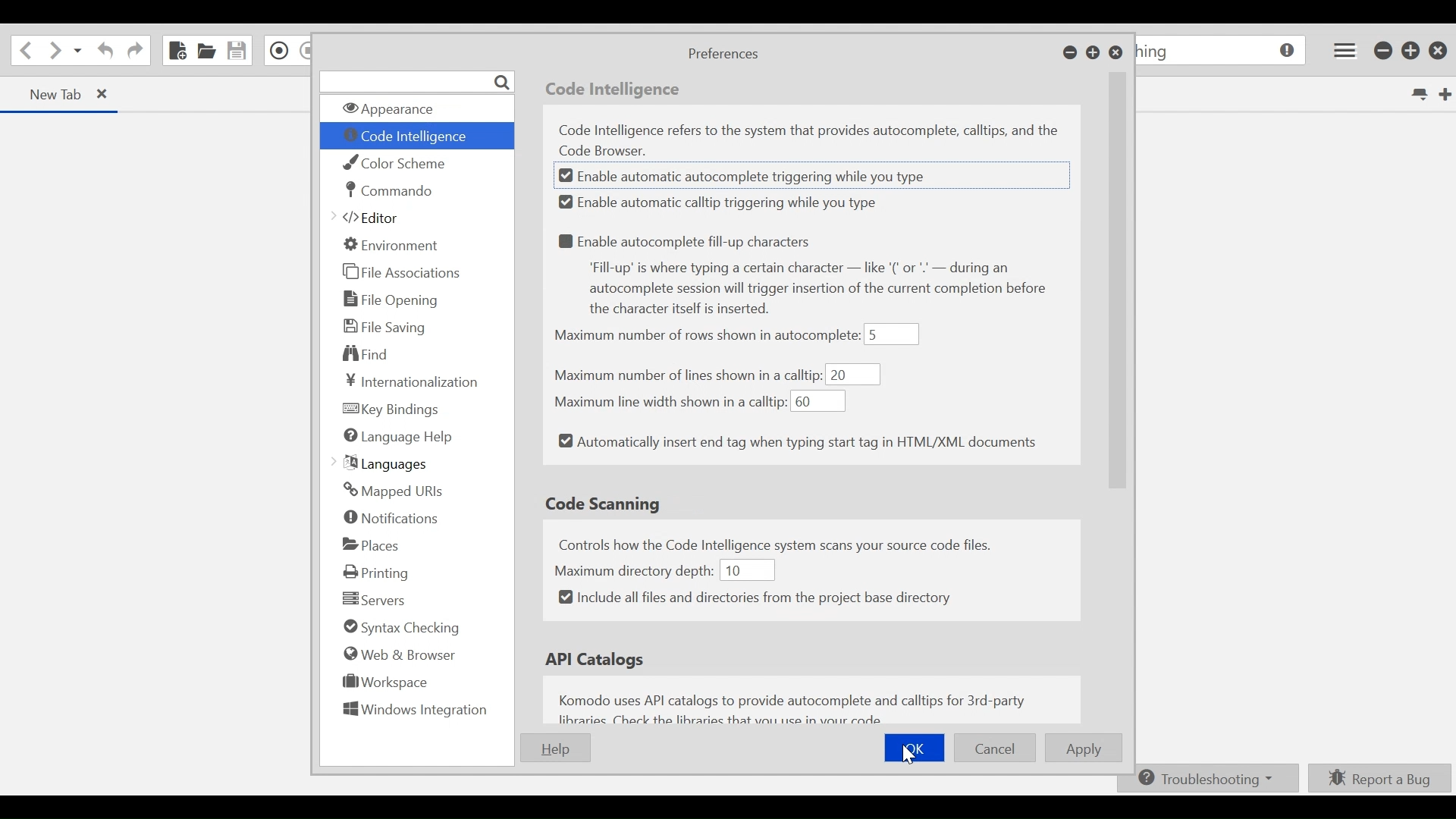  Describe the element at coordinates (238, 50) in the screenshot. I see `Save File` at that location.